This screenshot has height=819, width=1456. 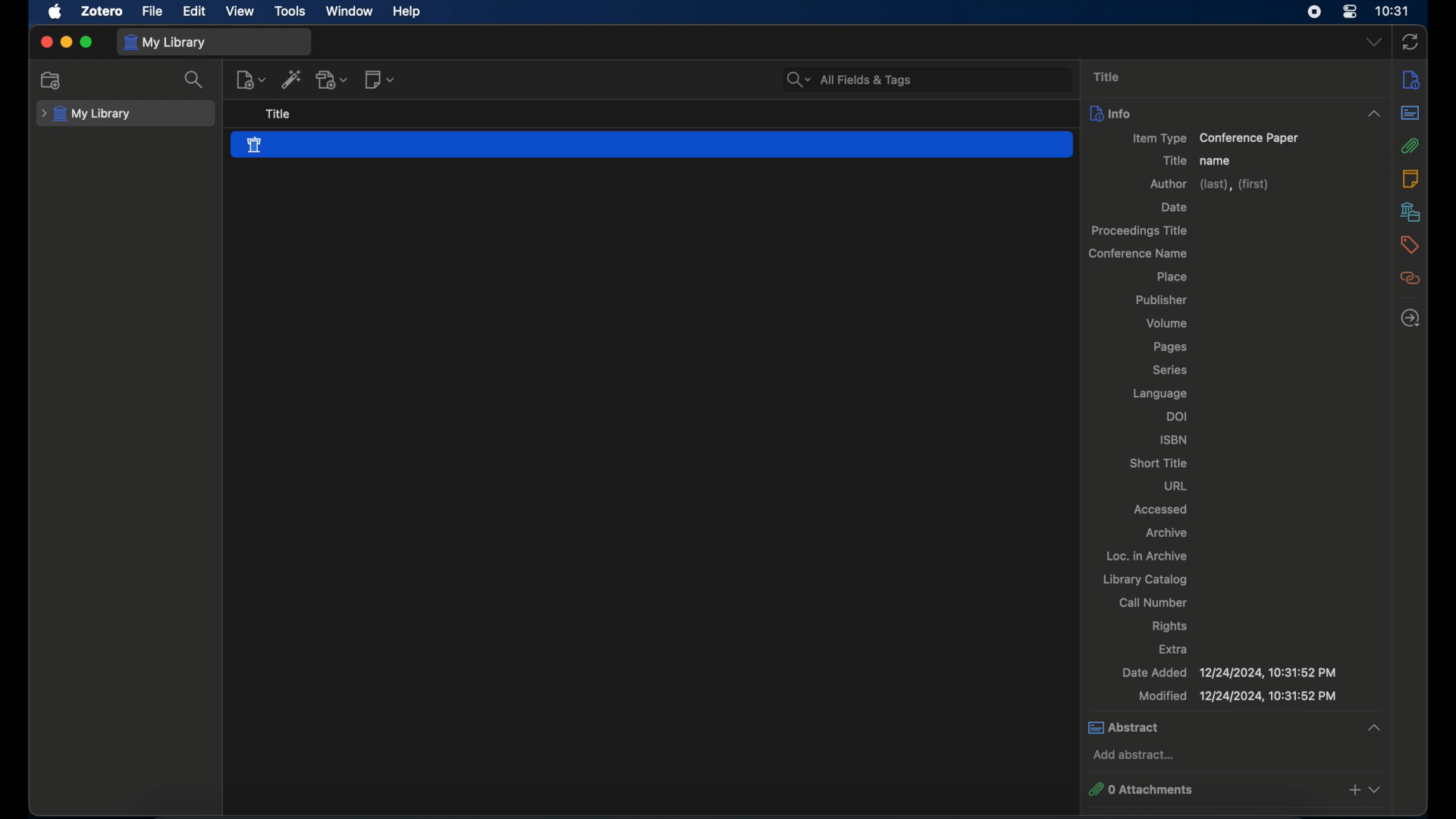 What do you see at coordinates (194, 11) in the screenshot?
I see `edit` at bounding box center [194, 11].